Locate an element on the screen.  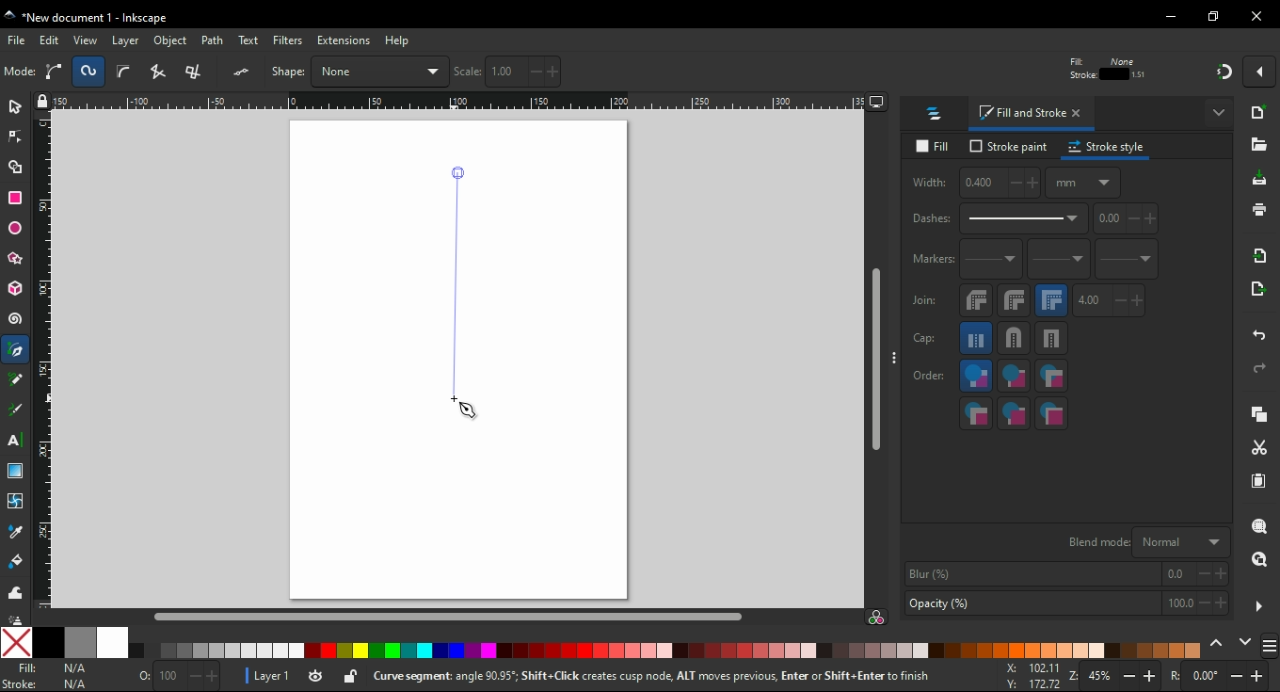
markers,fill,stroke is located at coordinates (976, 413).